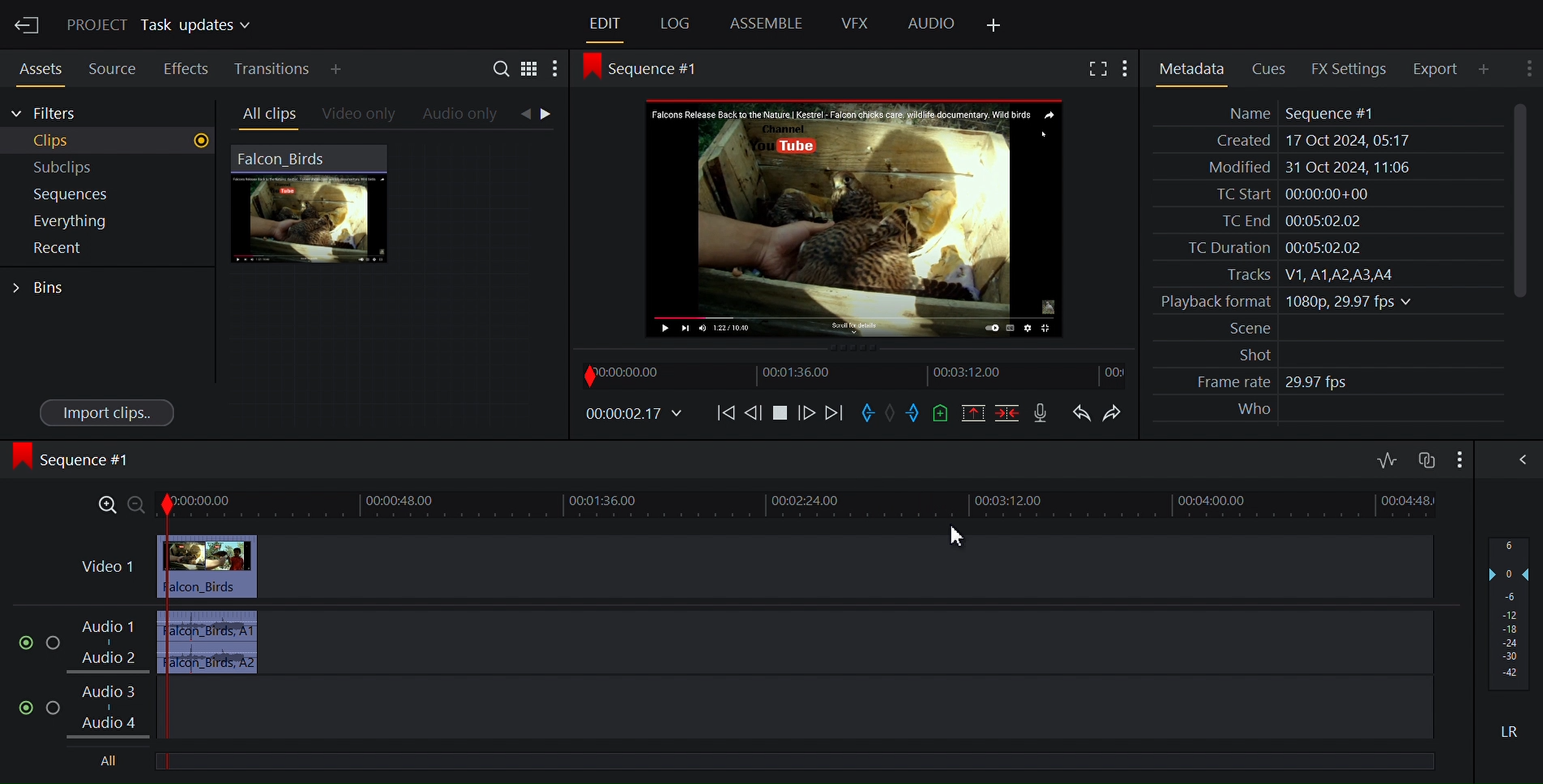 The height and width of the screenshot is (784, 1543). What do you see at coordinates (1515, 458) in the screenshot?
I see `Show/Hide Full audio mix` at bounding box center [1515, 458].